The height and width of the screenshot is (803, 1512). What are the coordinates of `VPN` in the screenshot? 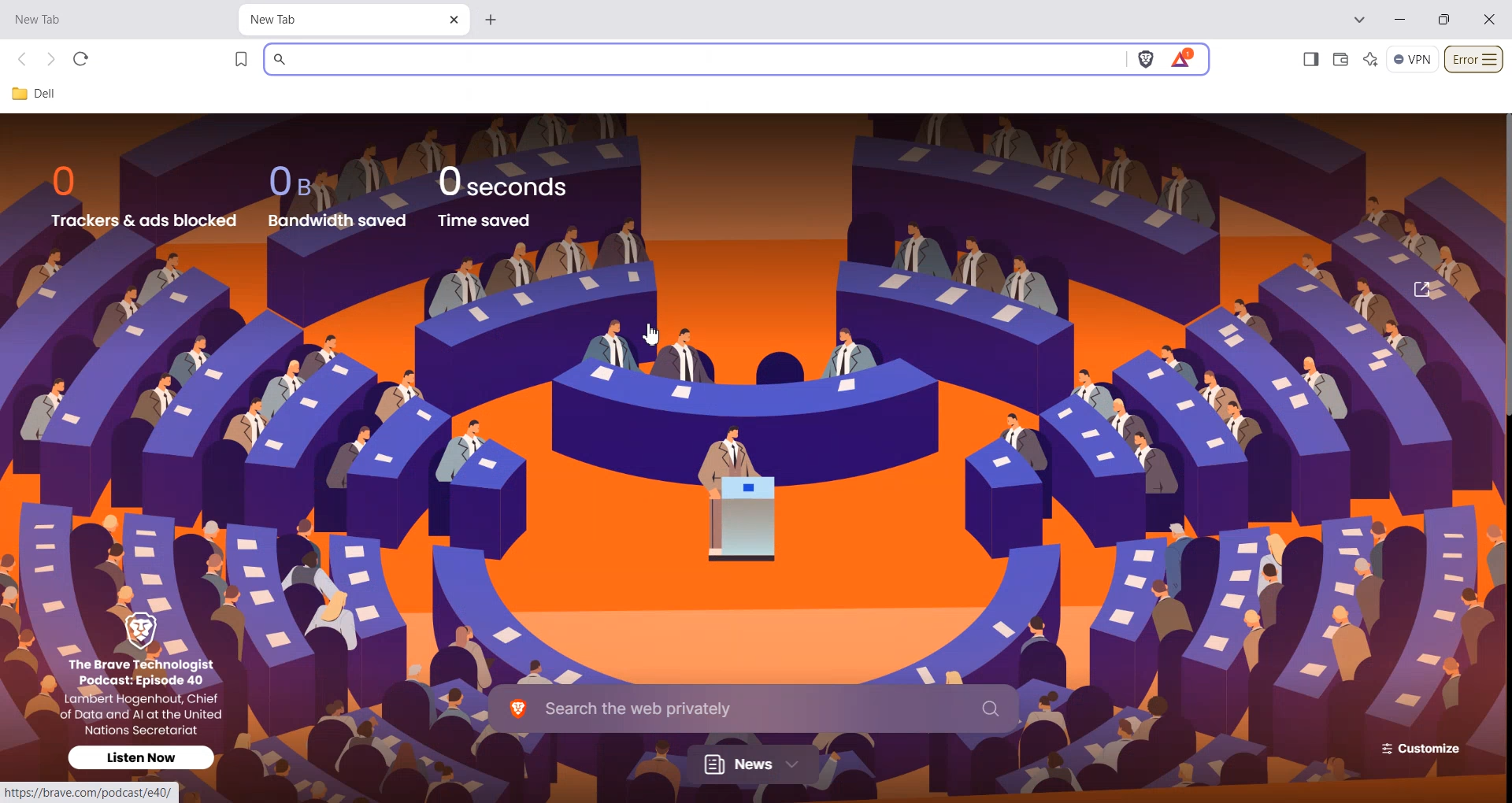 It's located at (1413, 60).